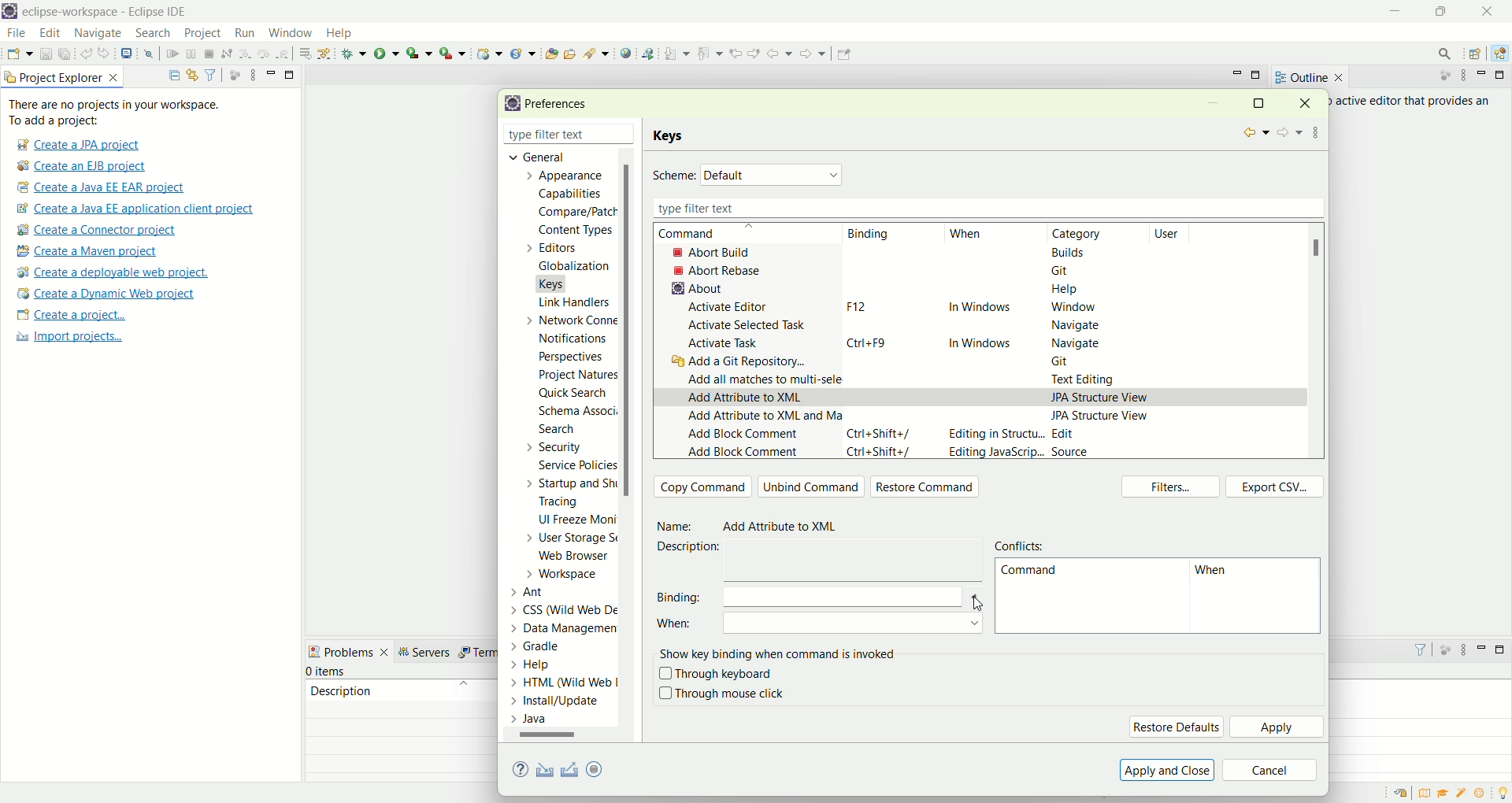 The width and height of the screenshot is (1512, 803). What do you see at coordinates (173, 55) in the screenshot?
I see `resume` at bounding box center [173, 55].